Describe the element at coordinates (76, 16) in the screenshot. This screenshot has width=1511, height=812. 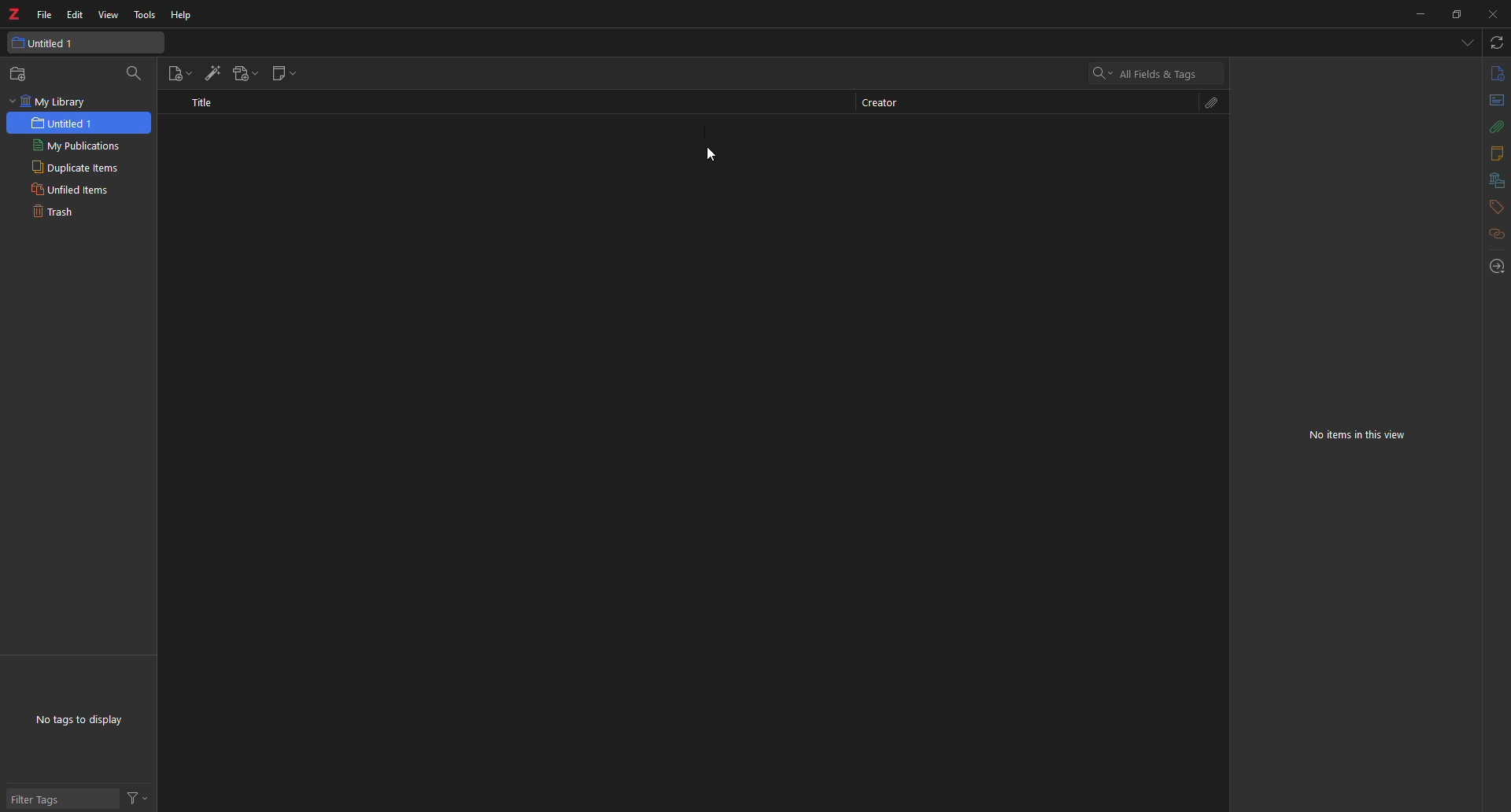
I see `edit` at that location.